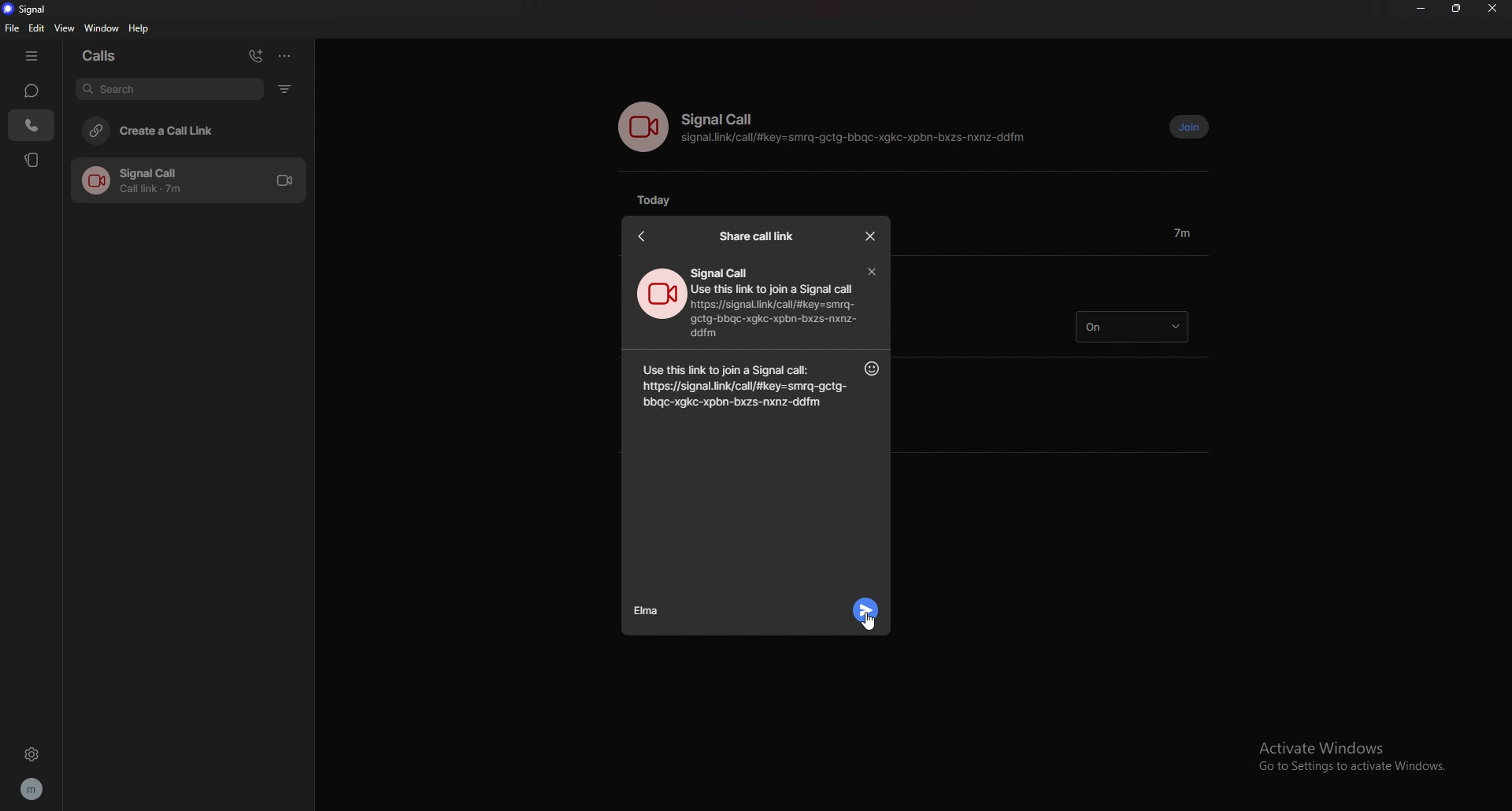 This screenshot has height=811, width=1512. Describe the element at coordinates (642, 236) in the screenshot. I see `back` at that location.